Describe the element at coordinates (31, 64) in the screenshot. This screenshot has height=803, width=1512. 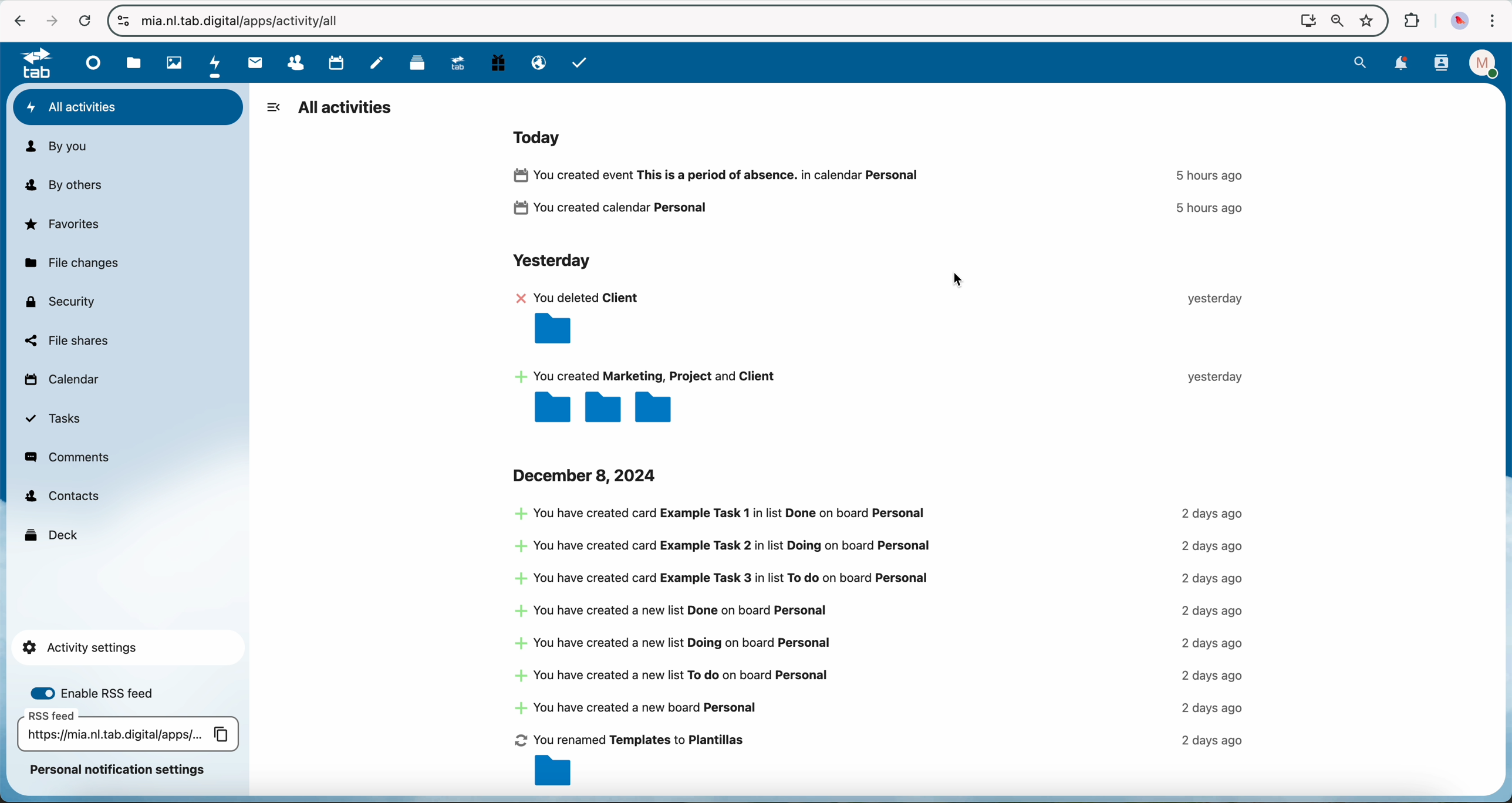
I see `tab logo` at that location.